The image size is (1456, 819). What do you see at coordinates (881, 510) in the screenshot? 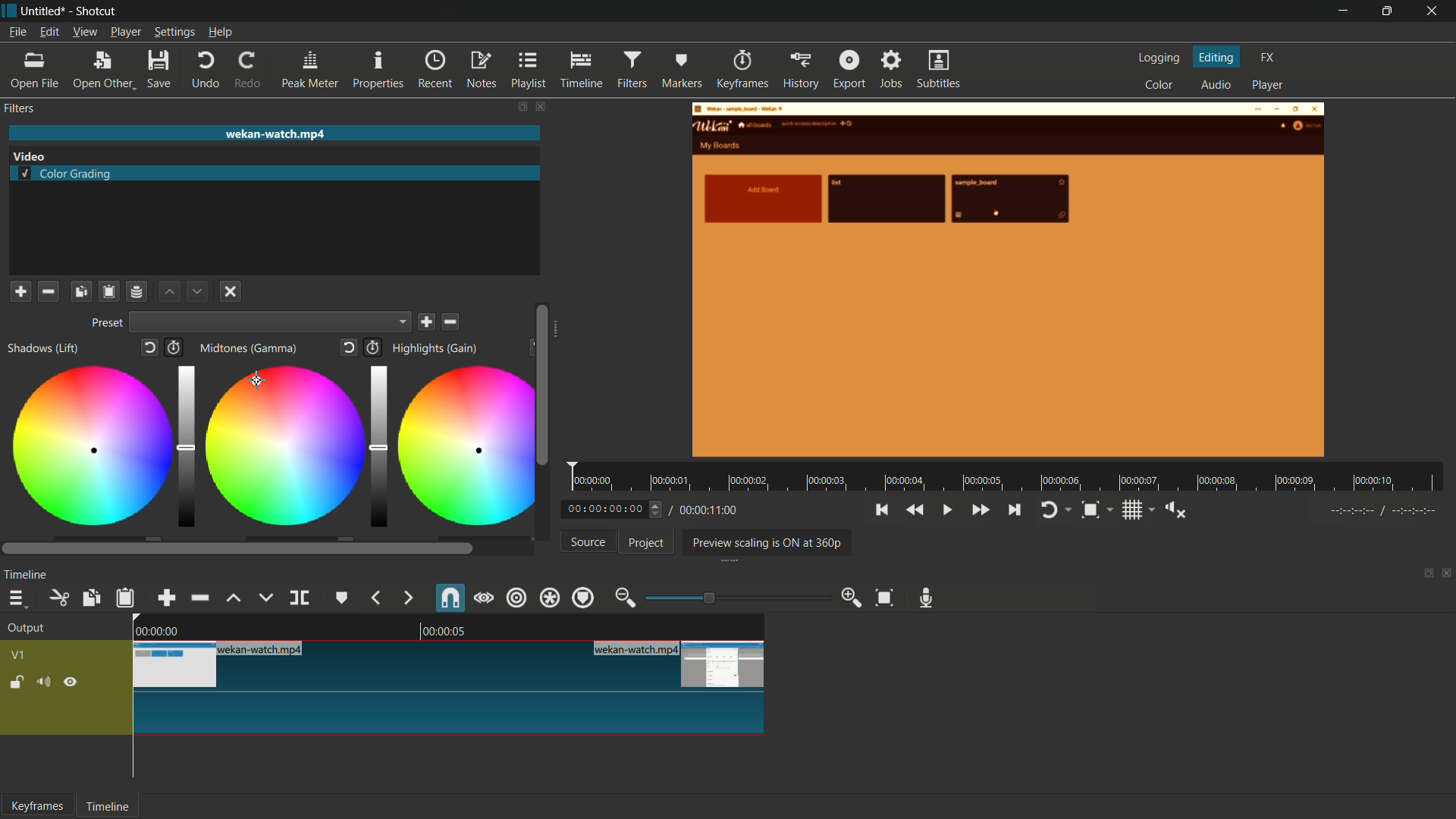
I see `skip to the previous point` at bounding box center [881, 510].